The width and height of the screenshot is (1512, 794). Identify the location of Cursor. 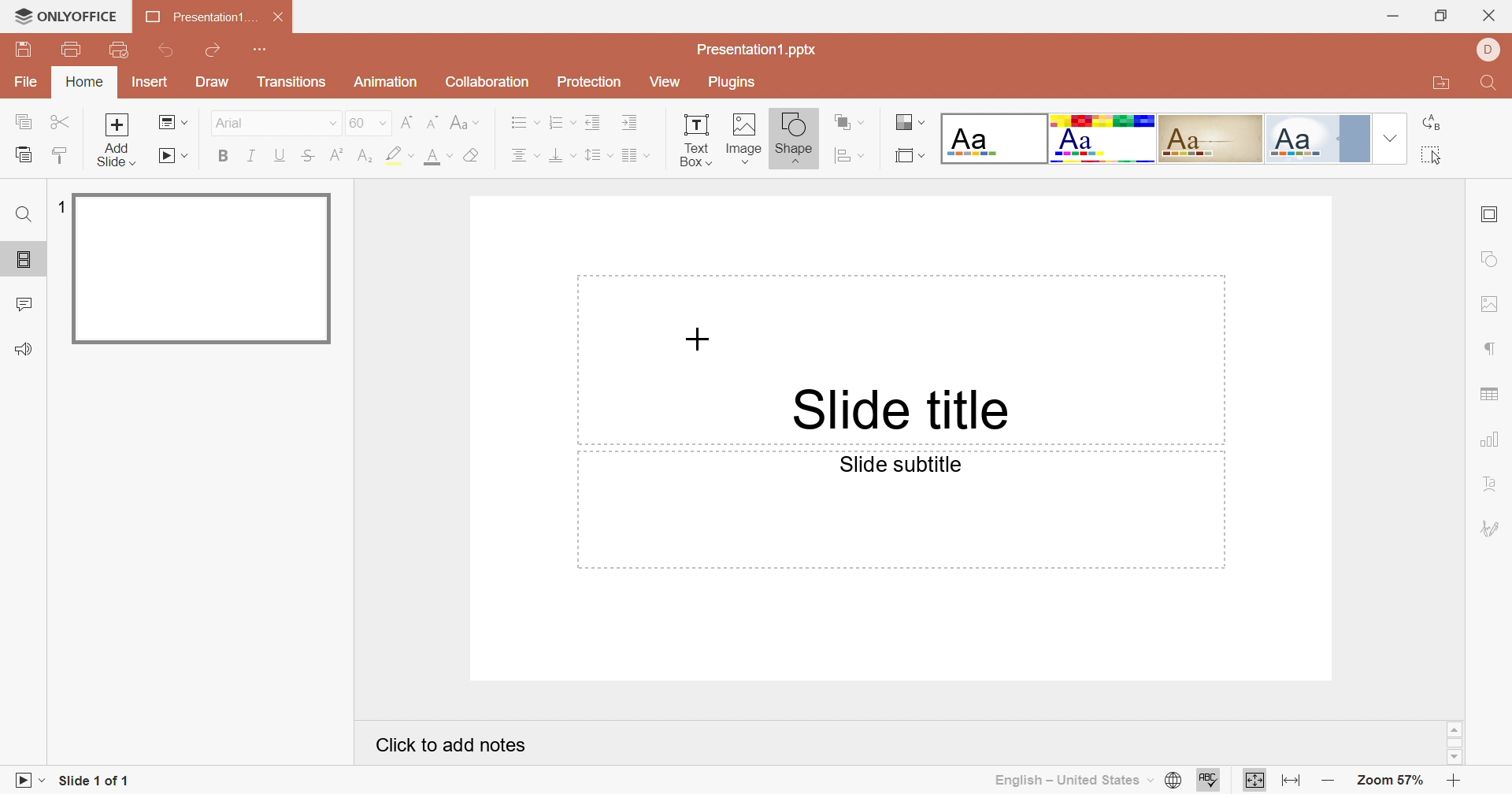
(695, 339).